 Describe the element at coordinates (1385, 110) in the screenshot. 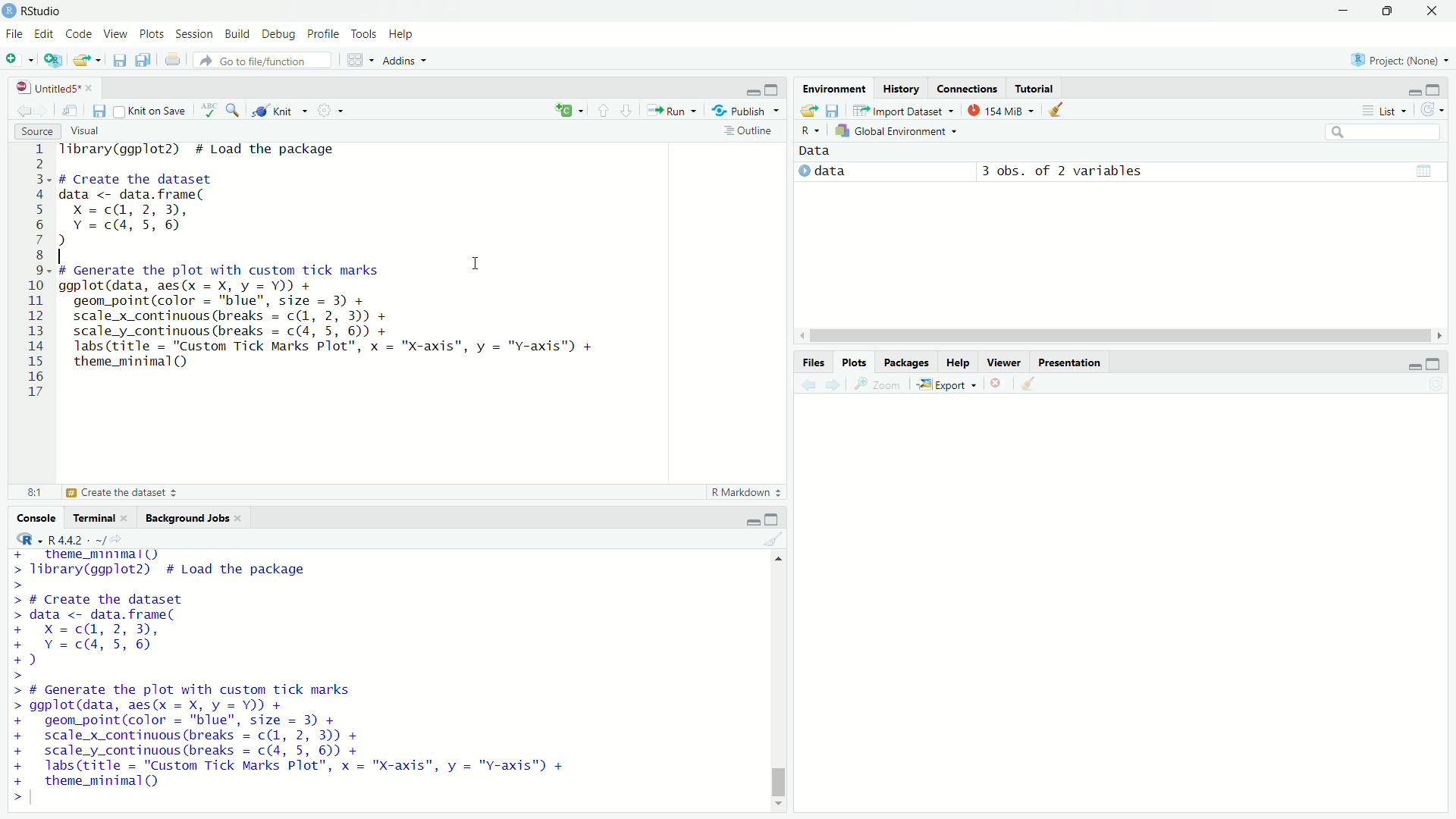

I see `list` at that location.